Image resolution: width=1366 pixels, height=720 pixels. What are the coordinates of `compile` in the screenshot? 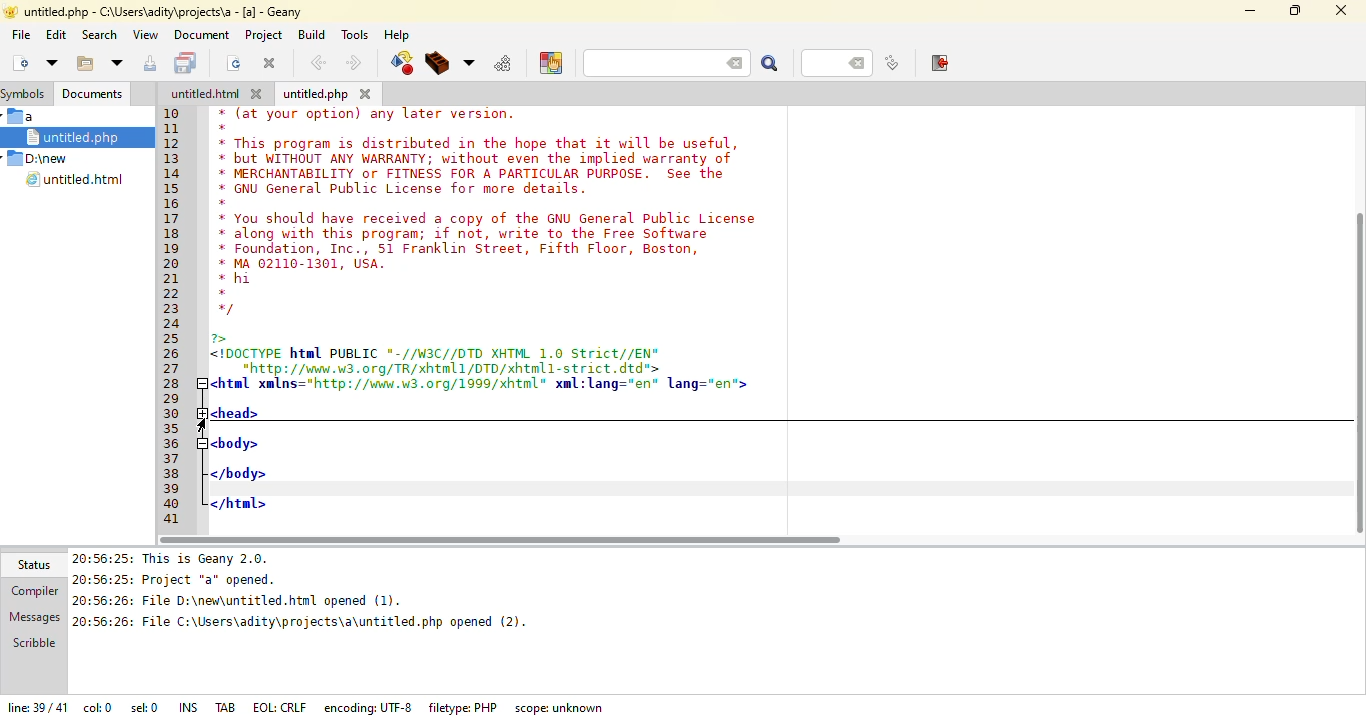 It's located at (399, 64).